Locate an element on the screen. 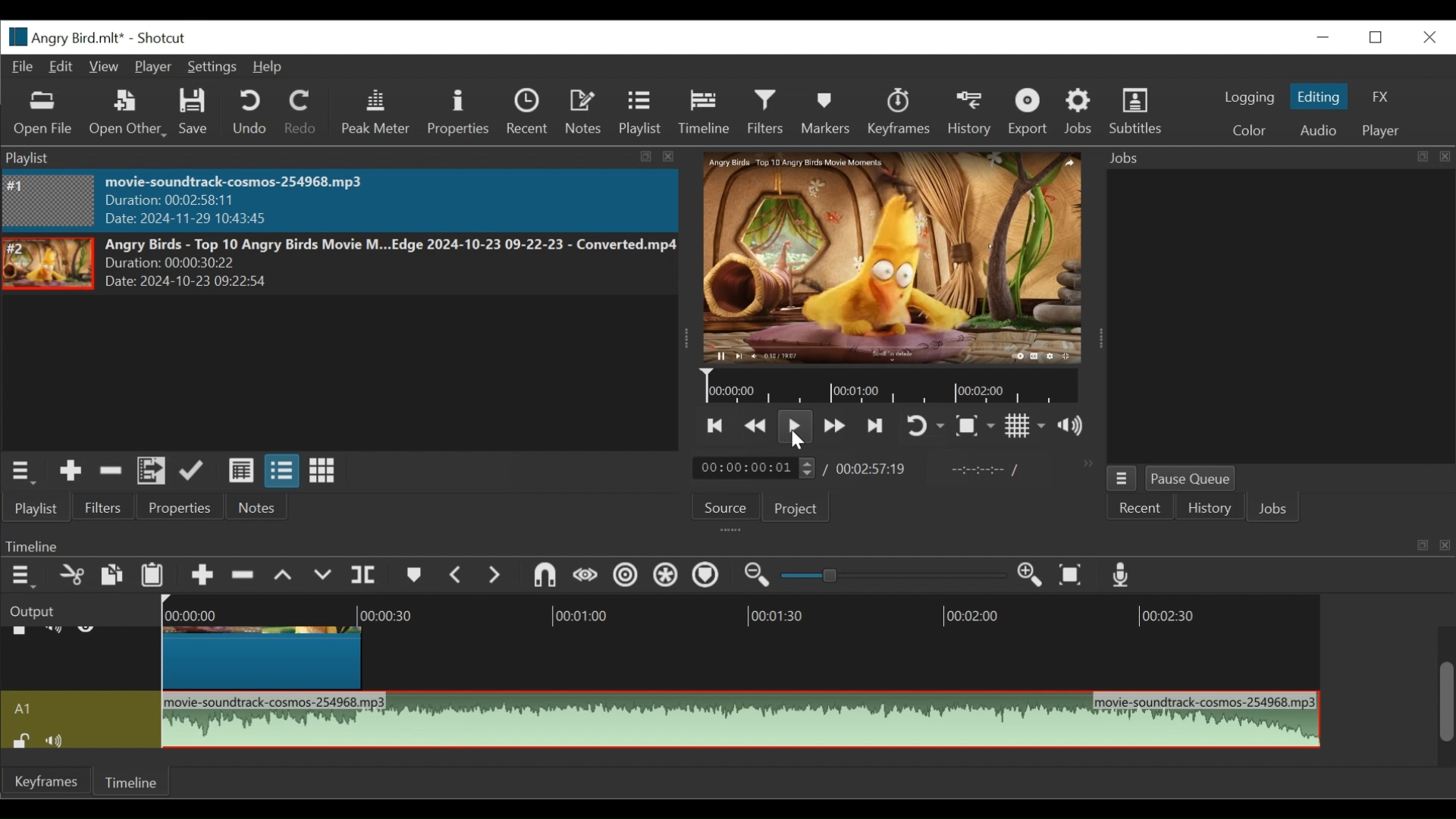 The image size is (1456, 819). / 00:00:00:01(Current duration) is located at coordinates (748, 467).